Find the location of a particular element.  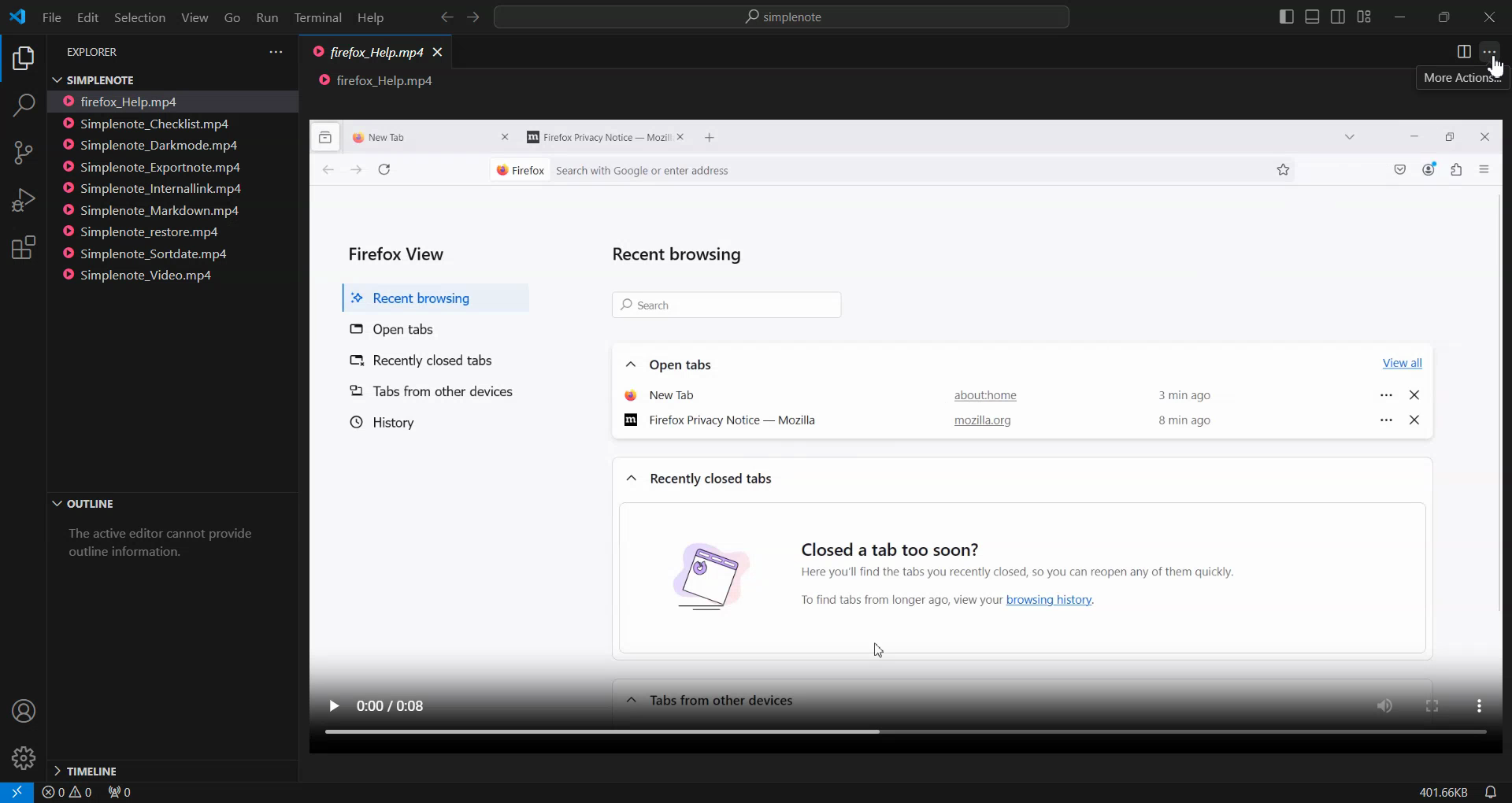

open tabs is located at coordinates (395, 327).